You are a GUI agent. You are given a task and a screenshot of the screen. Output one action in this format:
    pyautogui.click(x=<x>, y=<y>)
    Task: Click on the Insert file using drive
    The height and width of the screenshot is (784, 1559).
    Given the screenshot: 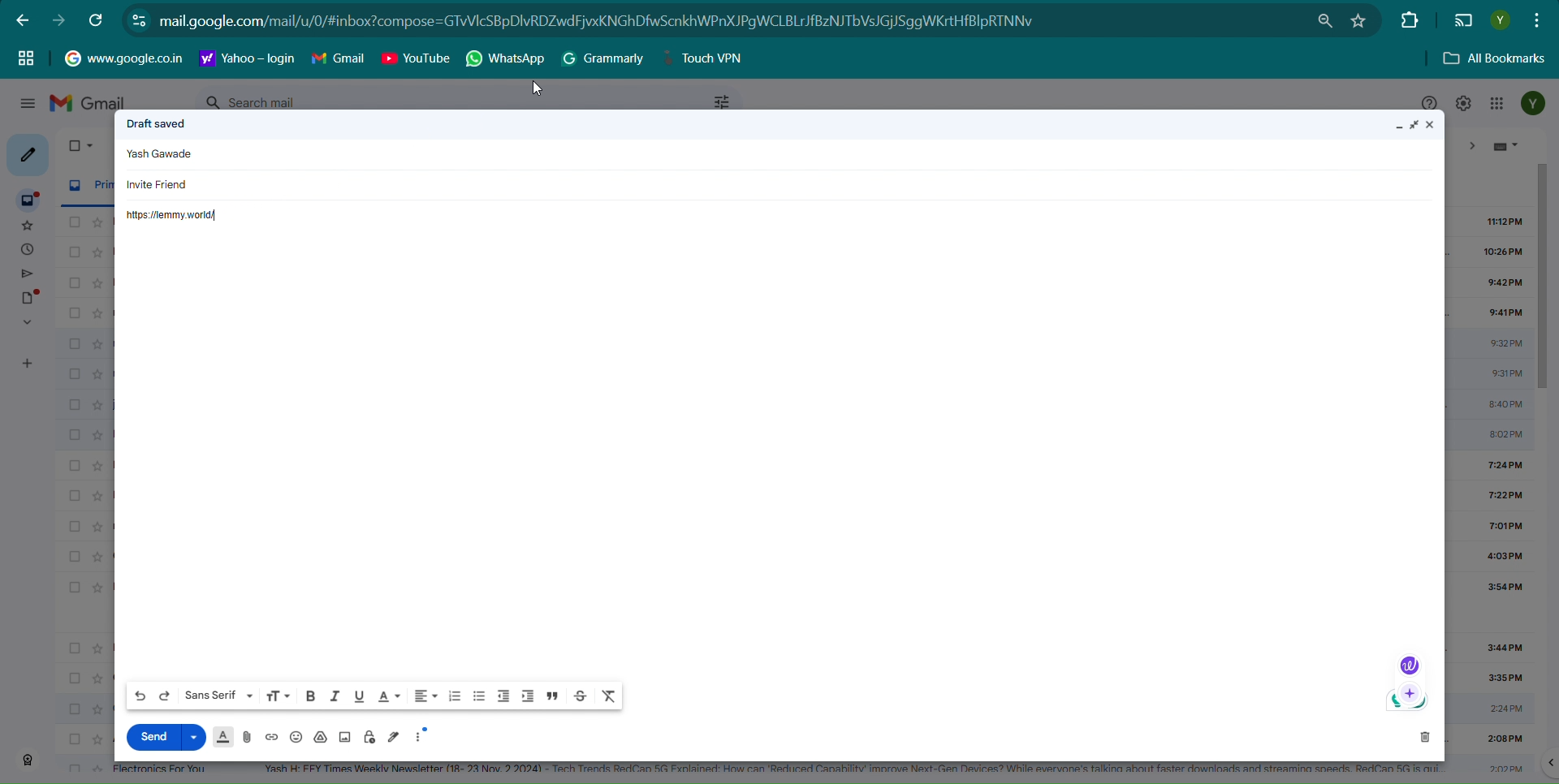 What is the action you would take?
    pyautogui.click(x=322, y=737)
    